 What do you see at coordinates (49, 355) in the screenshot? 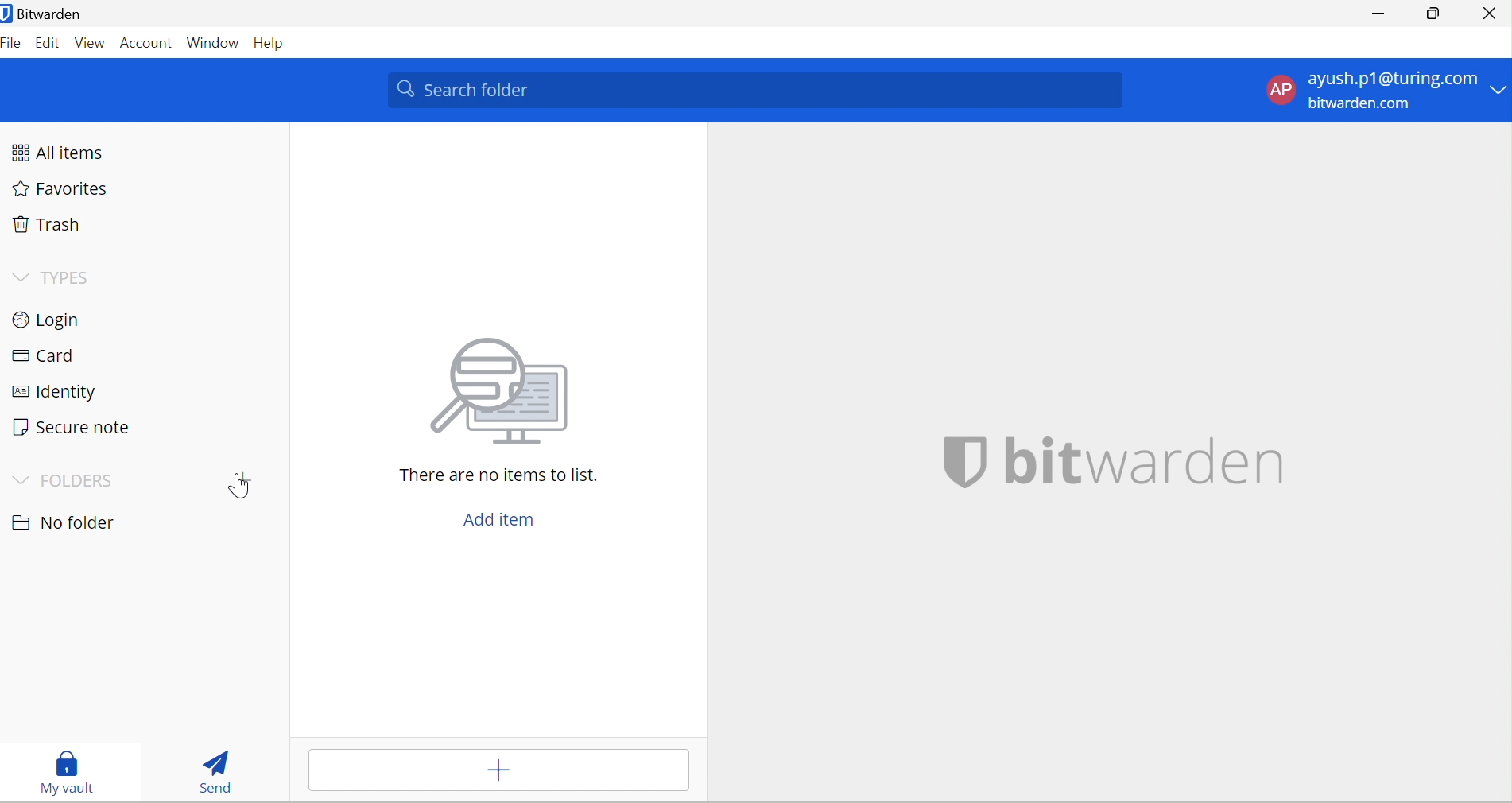
I see `Card` at bounding box center [49, 355].